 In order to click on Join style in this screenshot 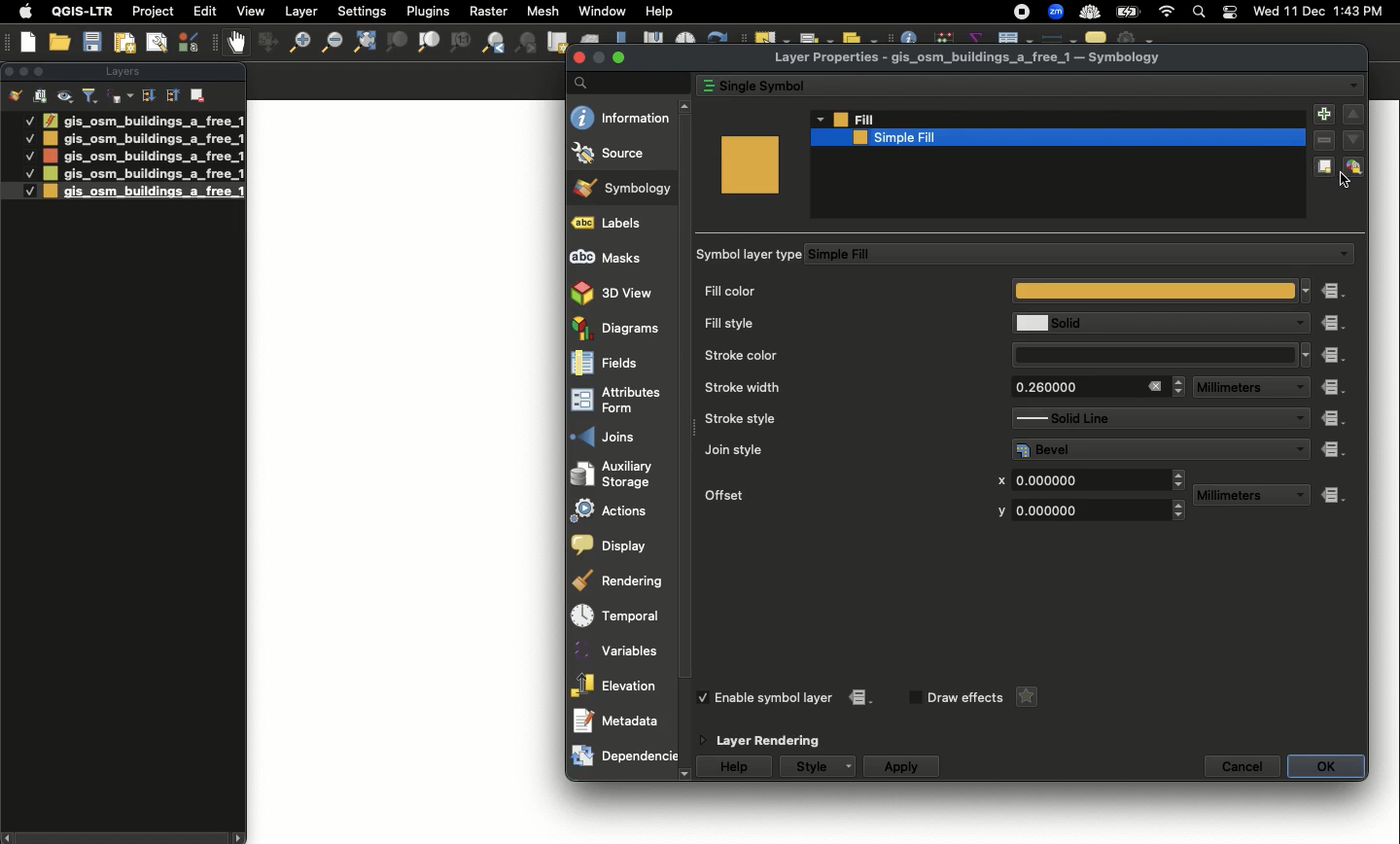, I will do `click(843, 449)`.